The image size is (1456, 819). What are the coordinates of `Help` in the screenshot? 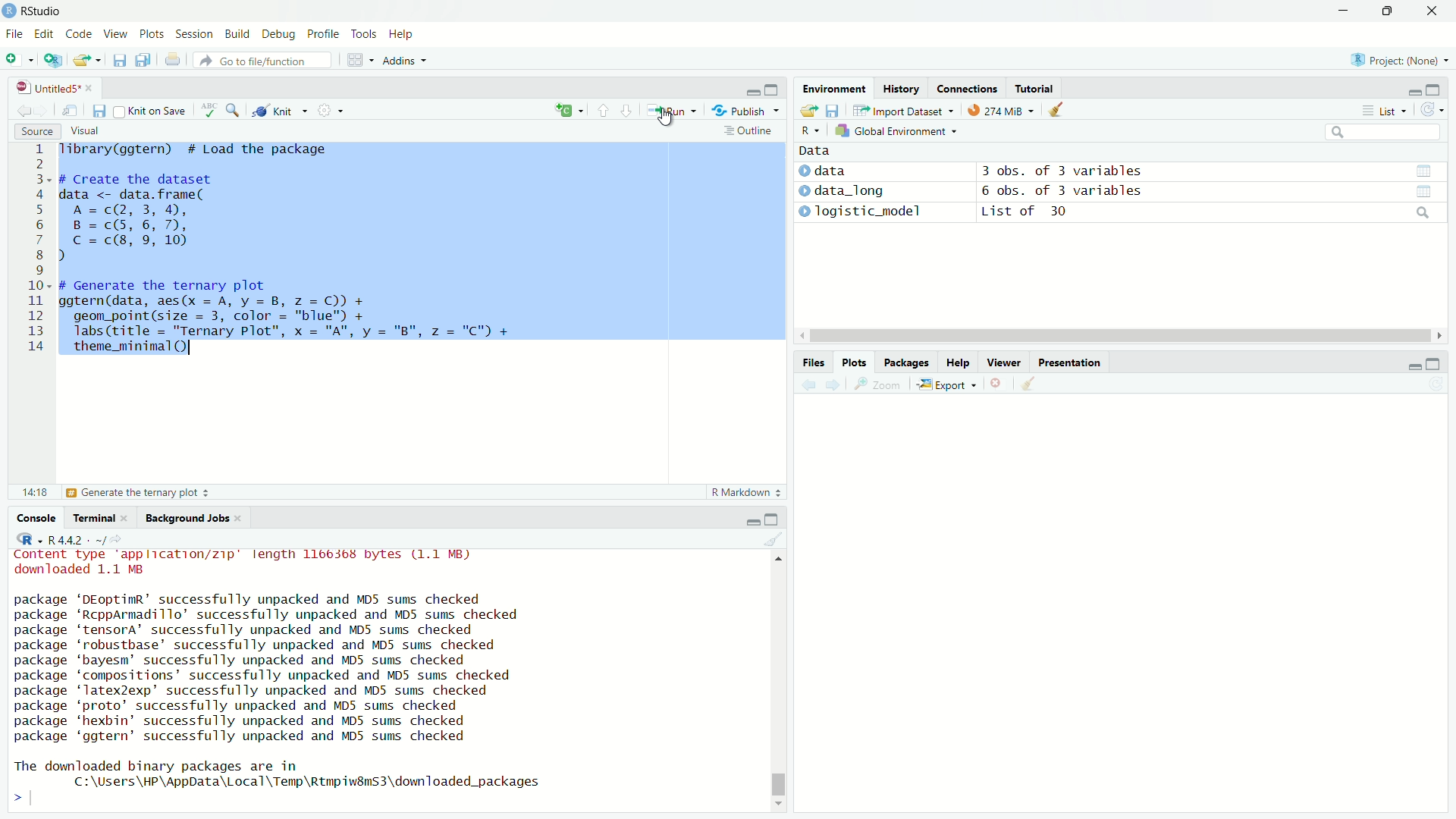 It's located at (955, 363).